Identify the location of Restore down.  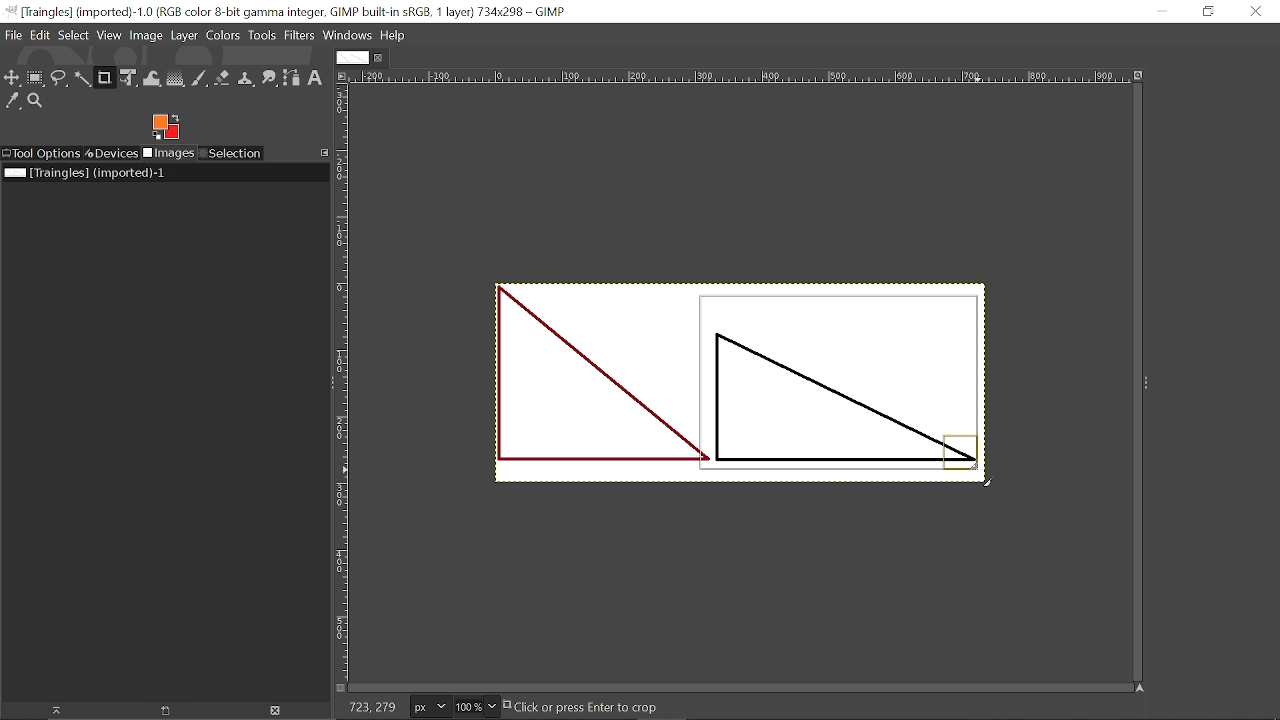
(1206, 13).